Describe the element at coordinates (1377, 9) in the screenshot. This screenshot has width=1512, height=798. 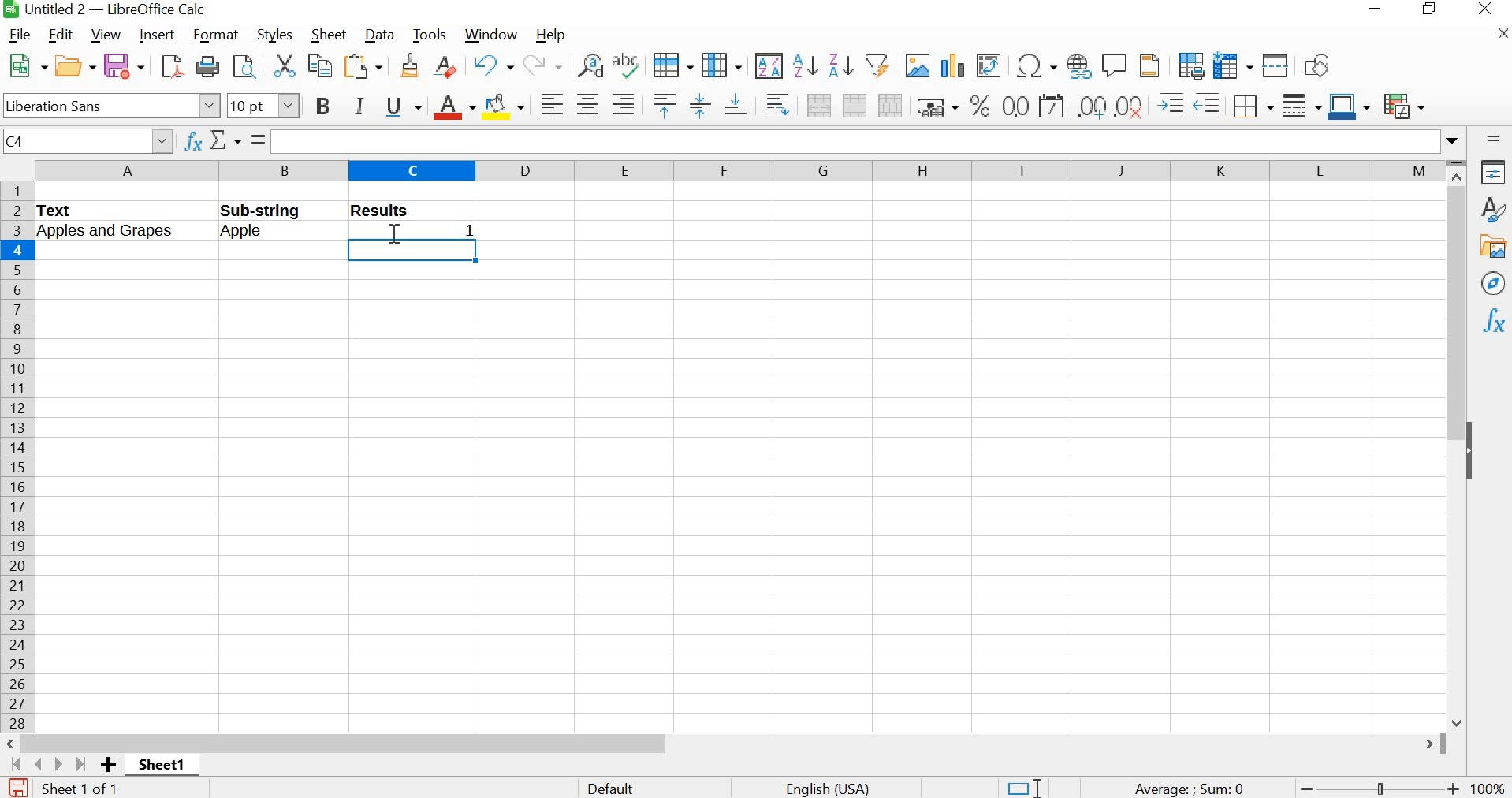
I see `minimize` at that location.